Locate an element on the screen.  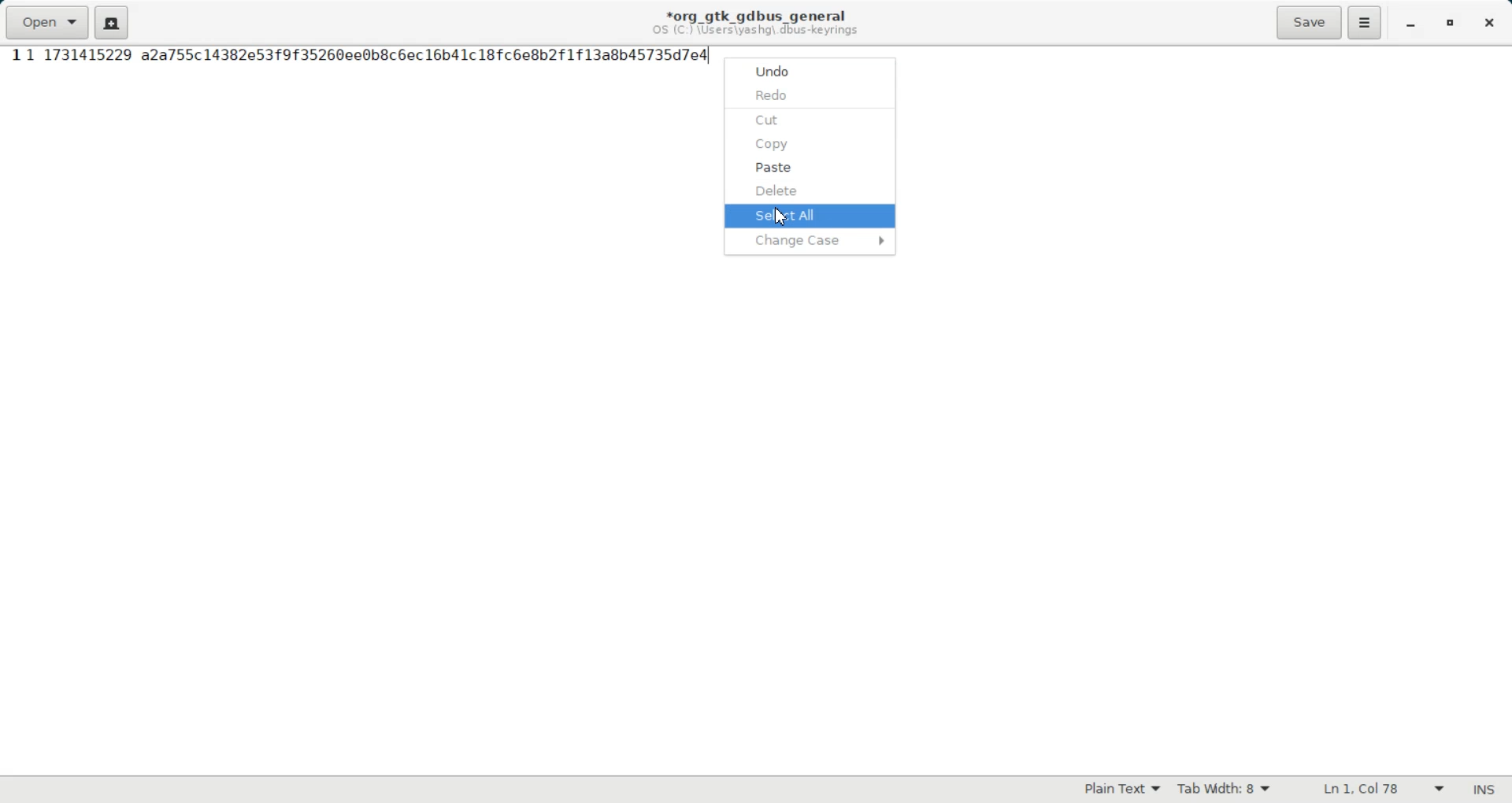
Select All is located at coordinates (810, 216).